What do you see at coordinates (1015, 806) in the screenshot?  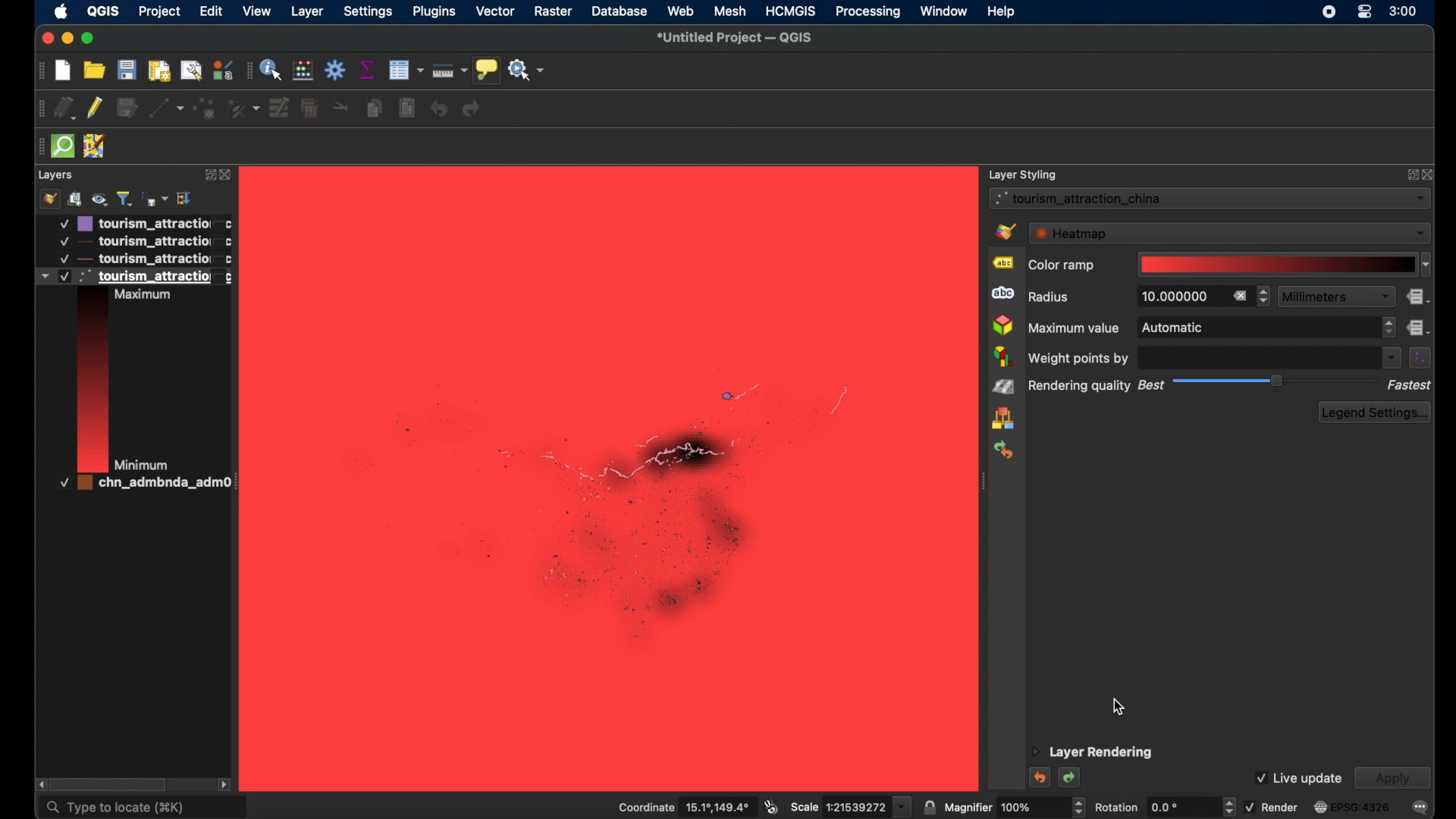 I see `magnifier` at bounding box center [1015, 806].